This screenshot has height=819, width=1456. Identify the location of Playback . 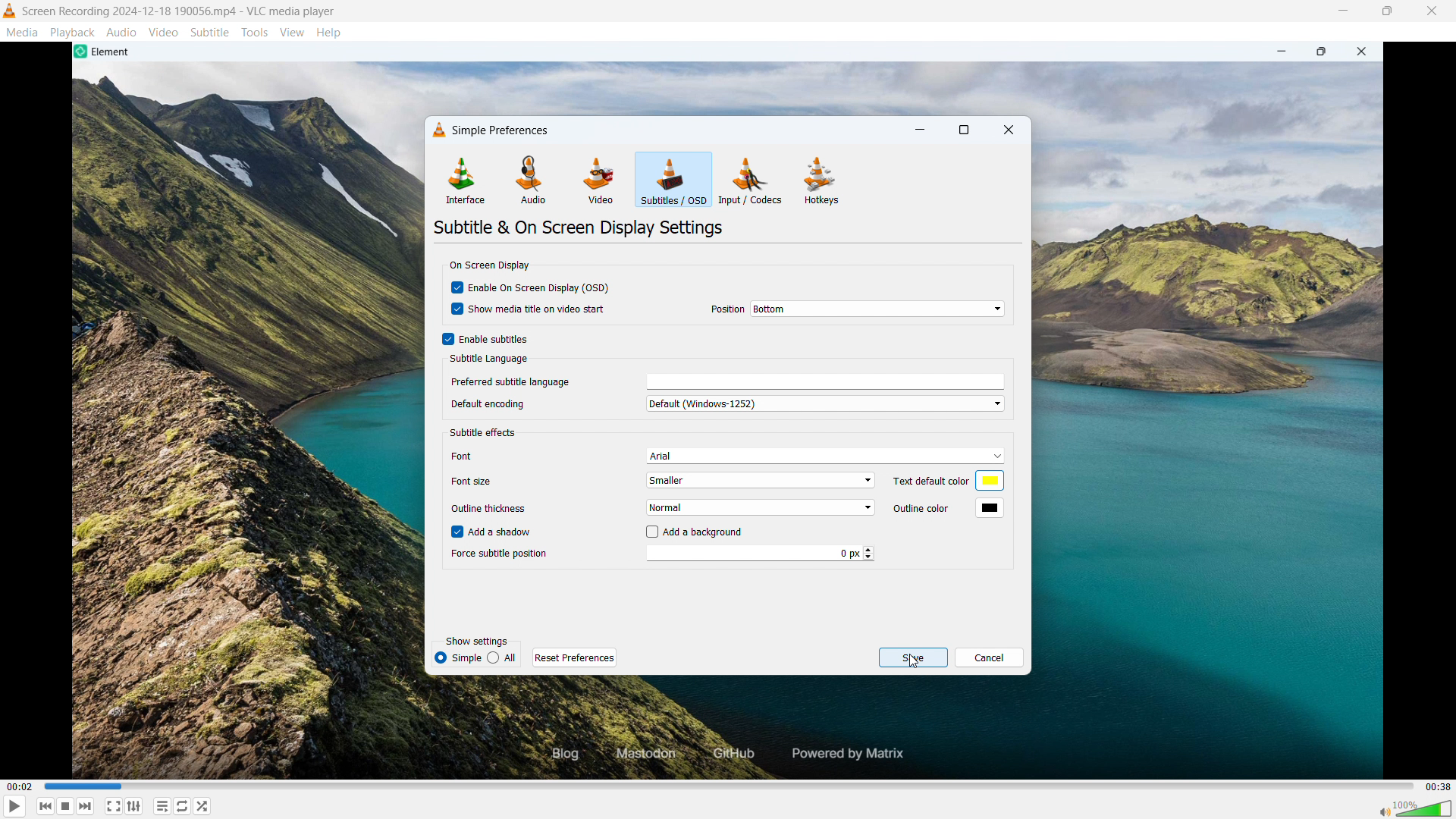
(73, 32).